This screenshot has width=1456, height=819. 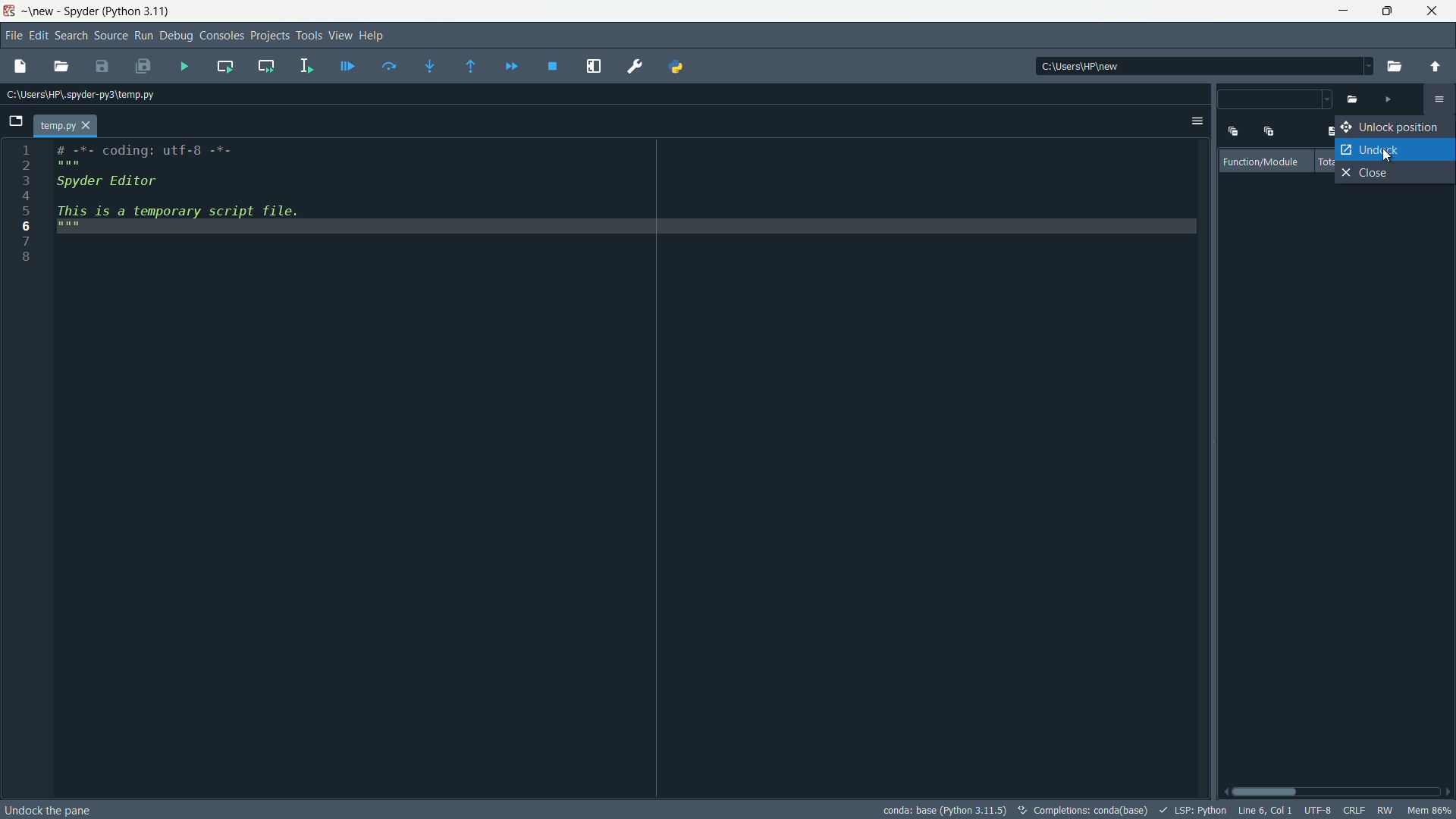 I want to click on run file, so click(x=1387, y=99).